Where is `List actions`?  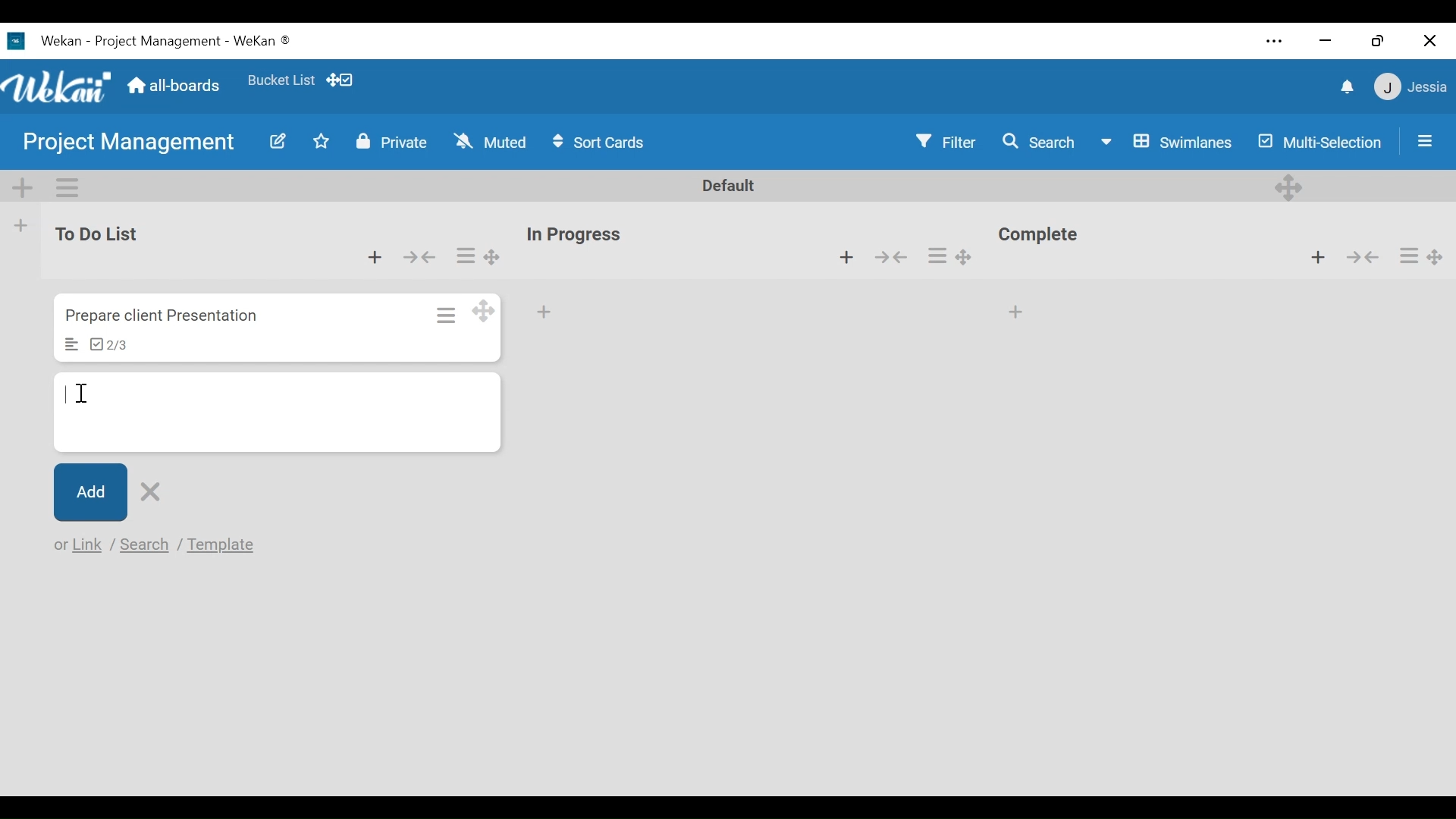
List actions is located at coordinates (66, 186).